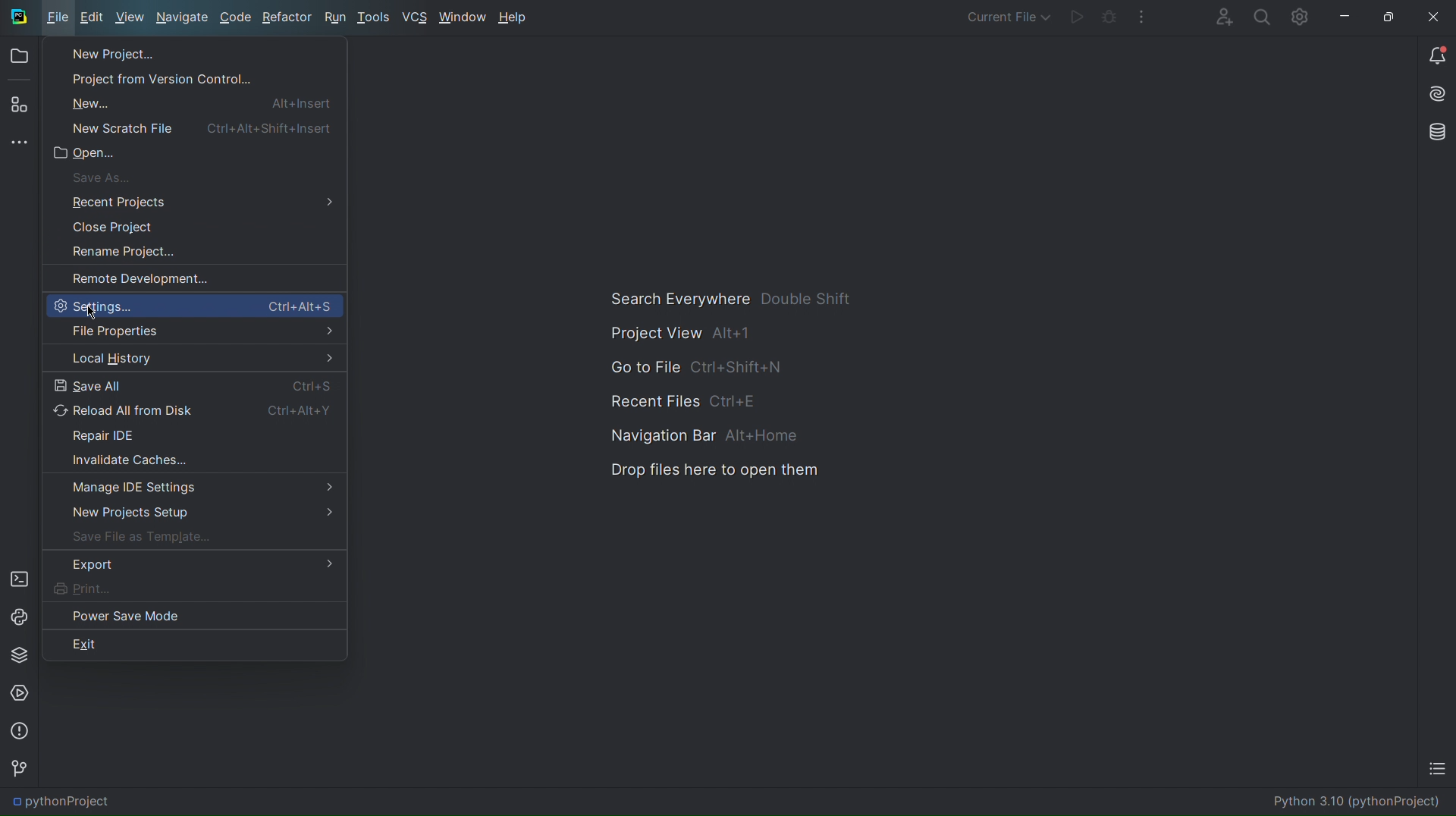 This screenshot has width=1456, height=816. Describe the element at coordinates (19, 576) in the screenshot. I see `Terminal` at that location.